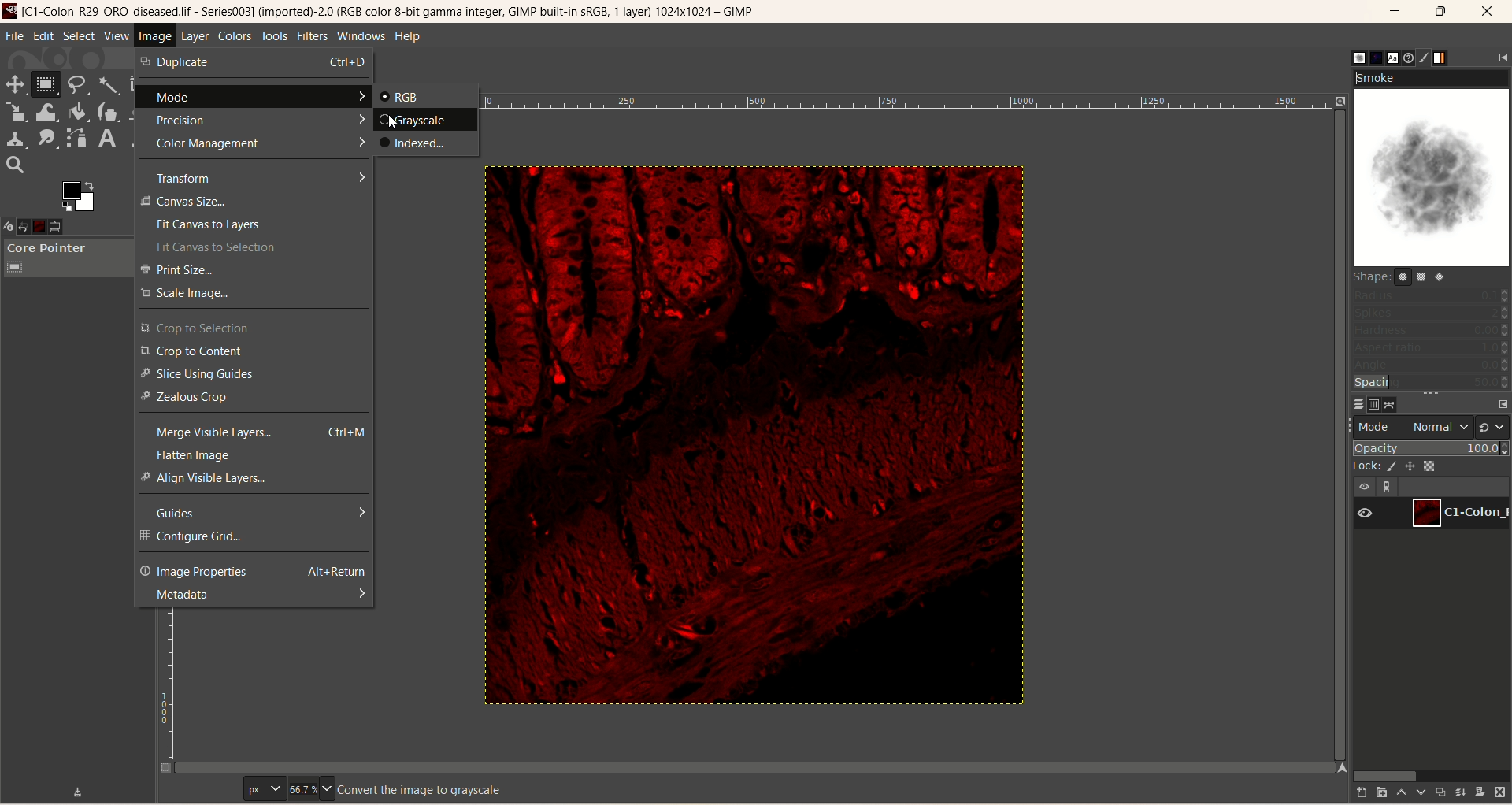 The width and height of the screenshot is (1512, 805). Describe the element at coordinates (41, 225) in the screenshot. I see `image` at that location.